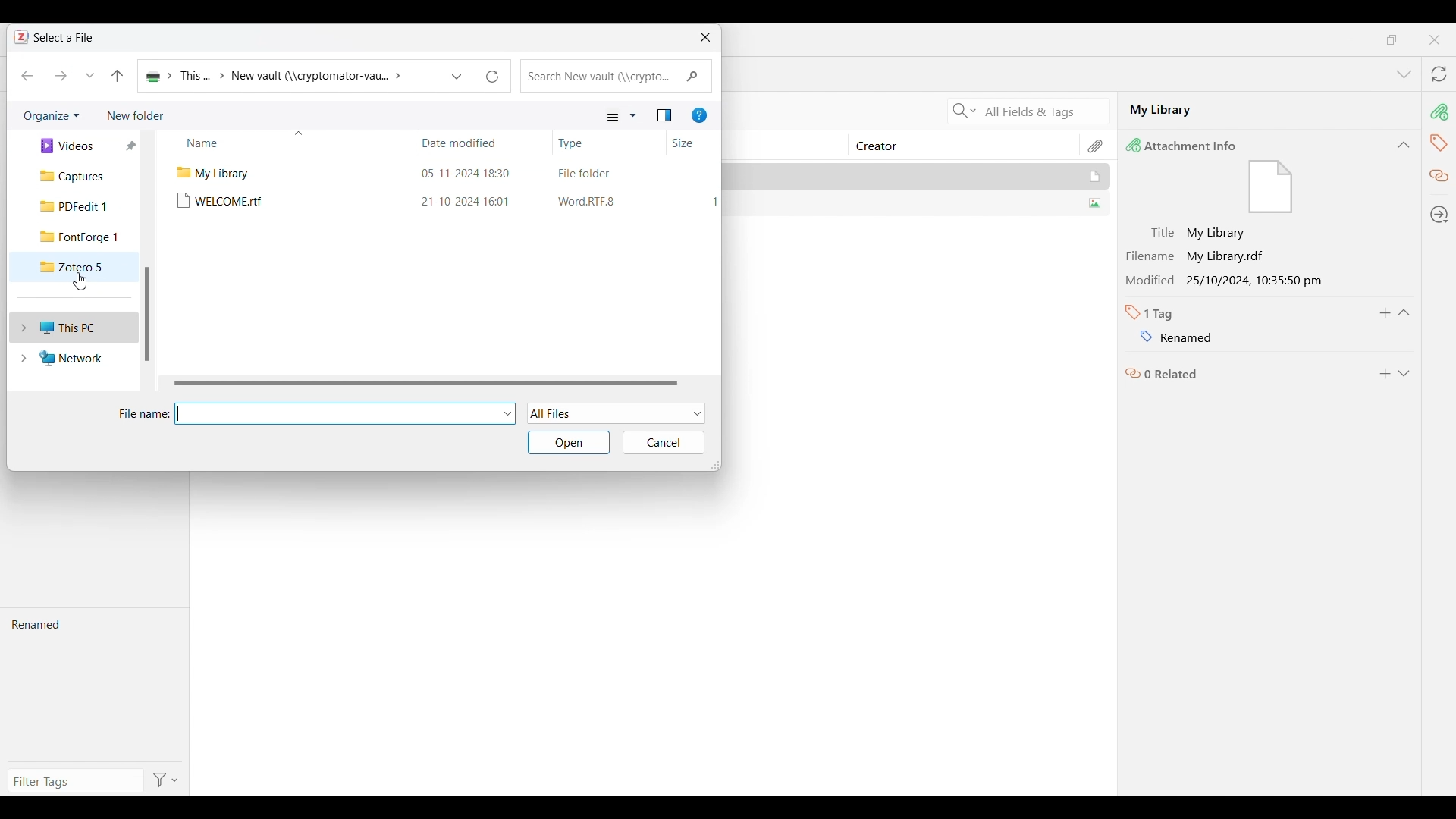  I want to click on FontForge 1 folder, so click(80, 237).